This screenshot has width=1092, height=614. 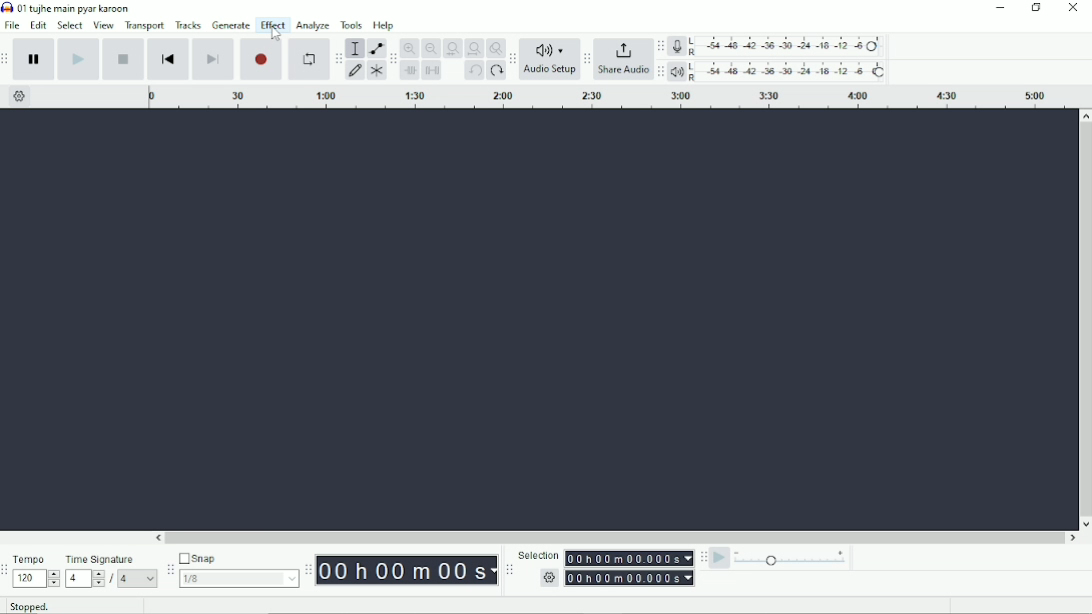 What do you see at coordinates (262, 60) in the screenshot?
I see `Record` at bounding box center [262, 60].